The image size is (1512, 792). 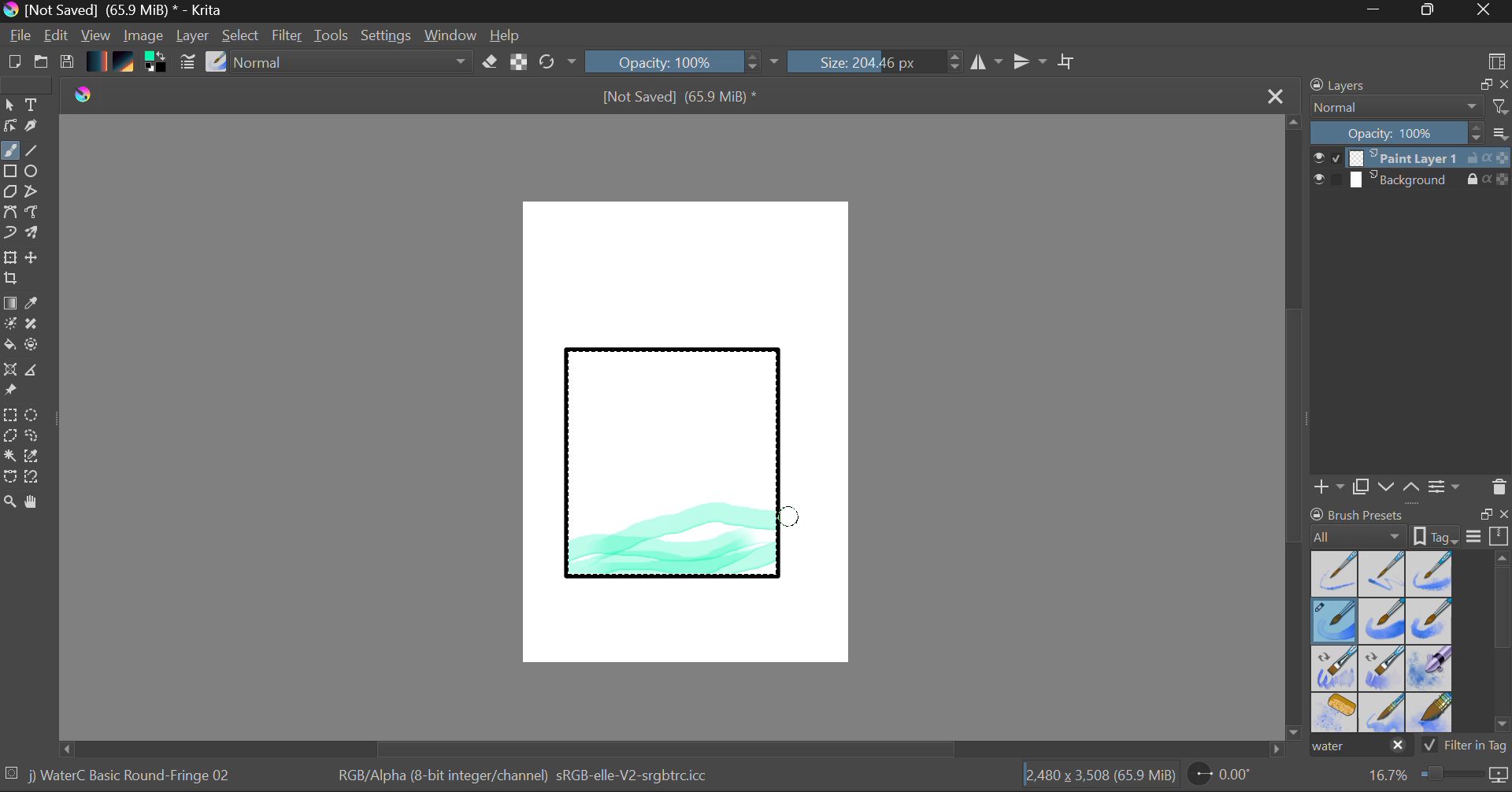 What do you see at coordinates (9, 436) in the screenshot?
I see `Polygon Selection Tool` at bounding box center [9, 436].